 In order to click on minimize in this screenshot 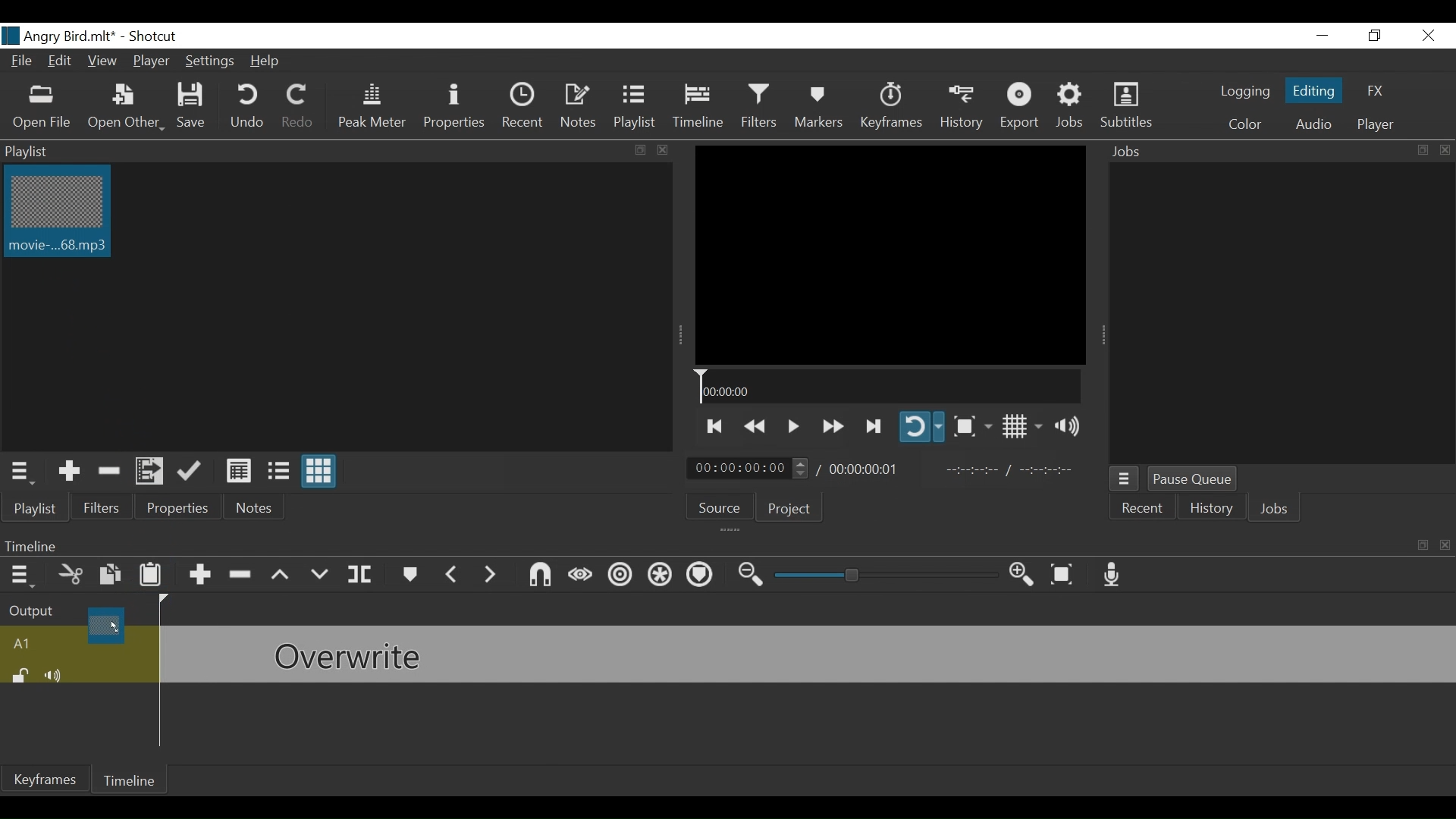, I will do `click(1320, 36)`.